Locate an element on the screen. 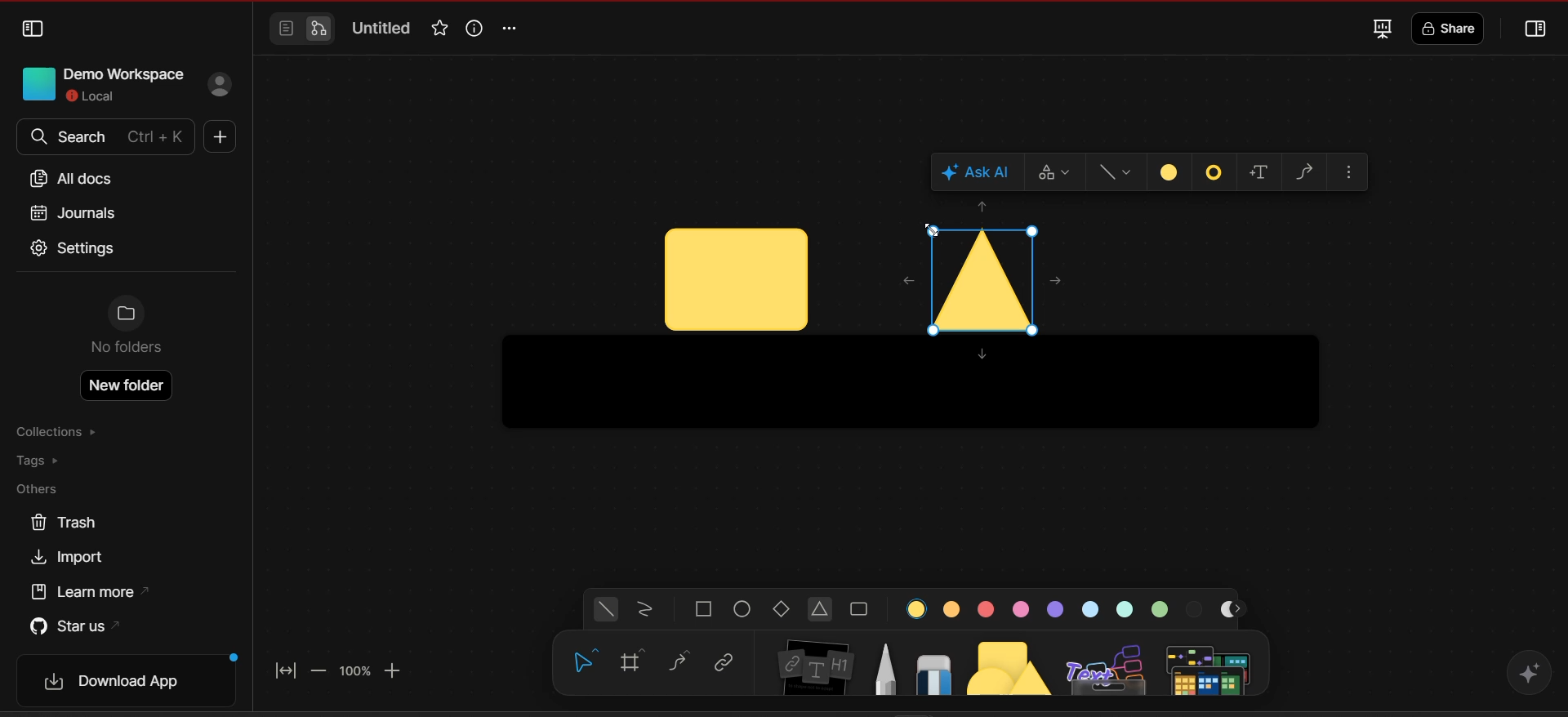  affine AI is located at coordinates (1529, 671).